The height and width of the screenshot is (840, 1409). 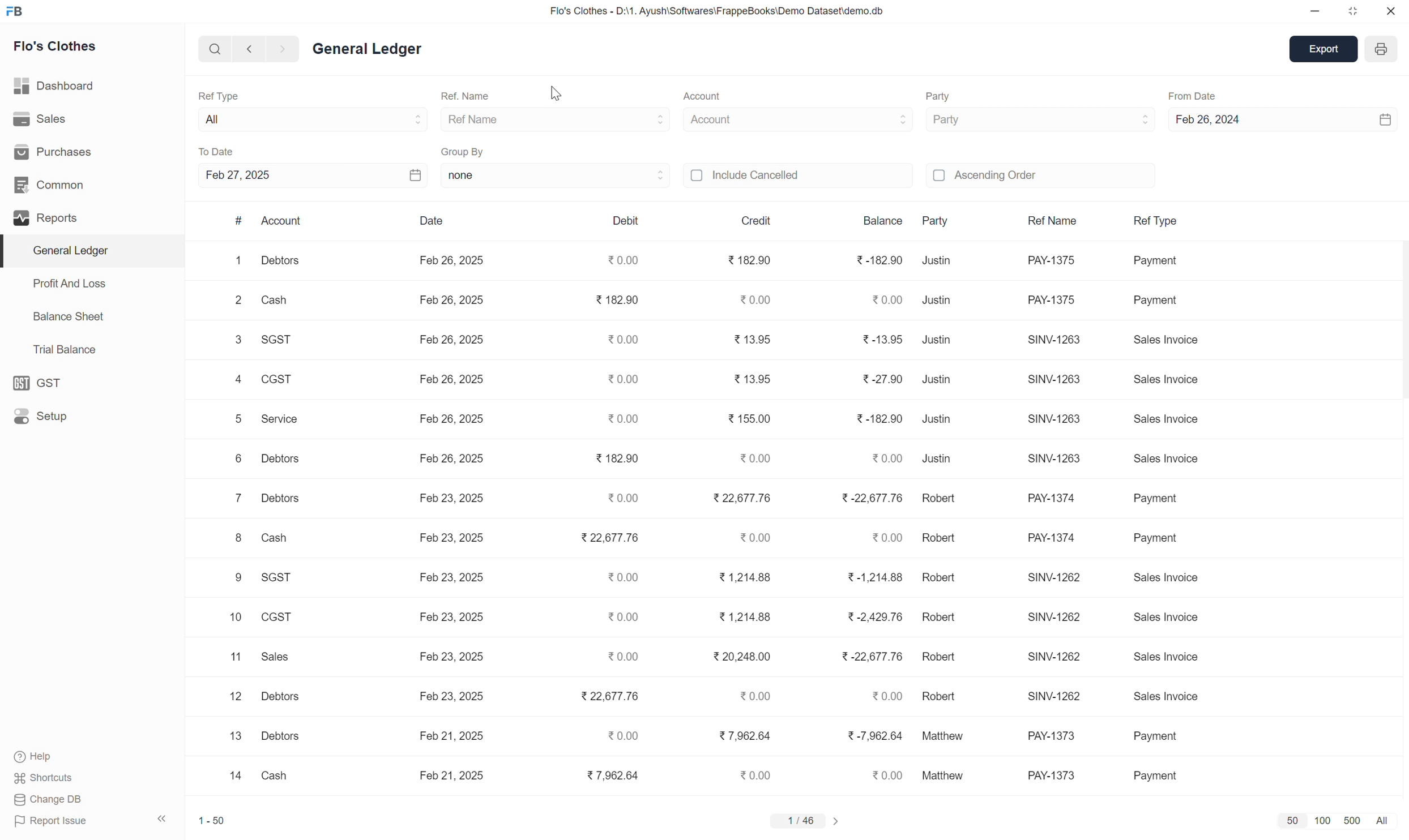 What do you see at coordinates (460, 261) in the screenshot?
I see `feb 26, 2025` at bounding box center [460, 261].